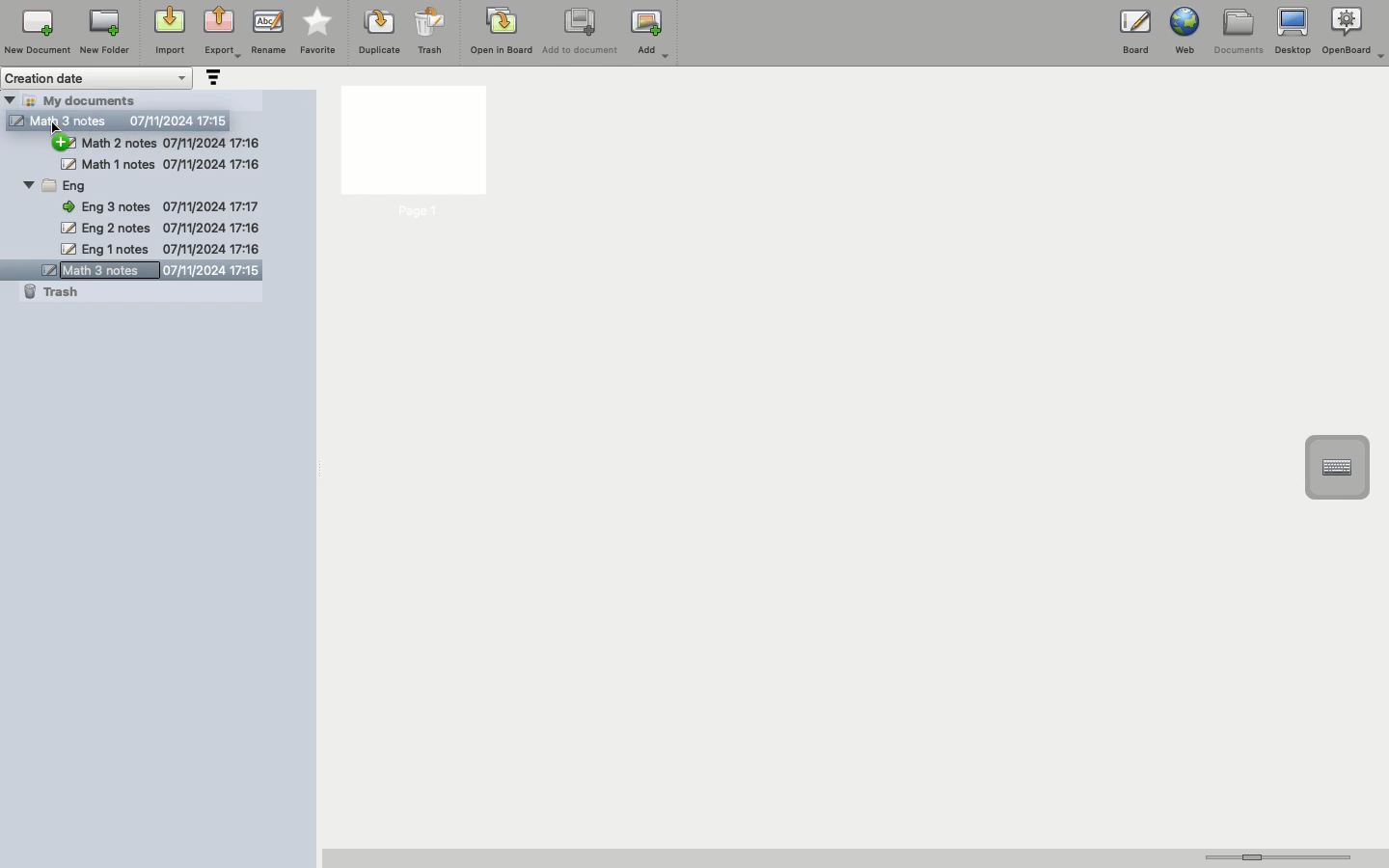  What do you see at coordinates (412, 153) in the screenshot?
I see `Page 1` at bounding box center [412, 153].